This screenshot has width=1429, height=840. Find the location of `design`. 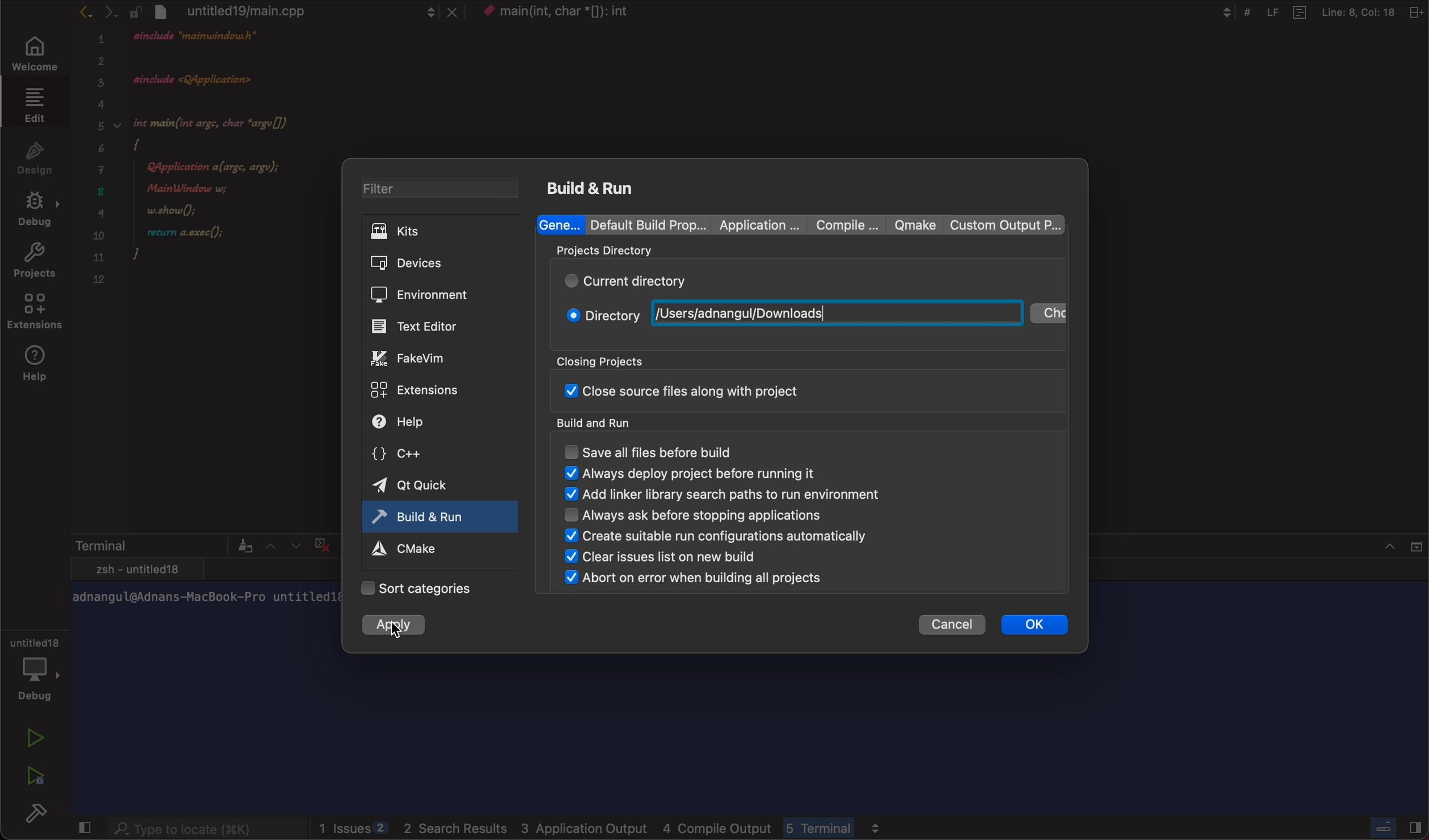

design is located at coordinates (36, 155).